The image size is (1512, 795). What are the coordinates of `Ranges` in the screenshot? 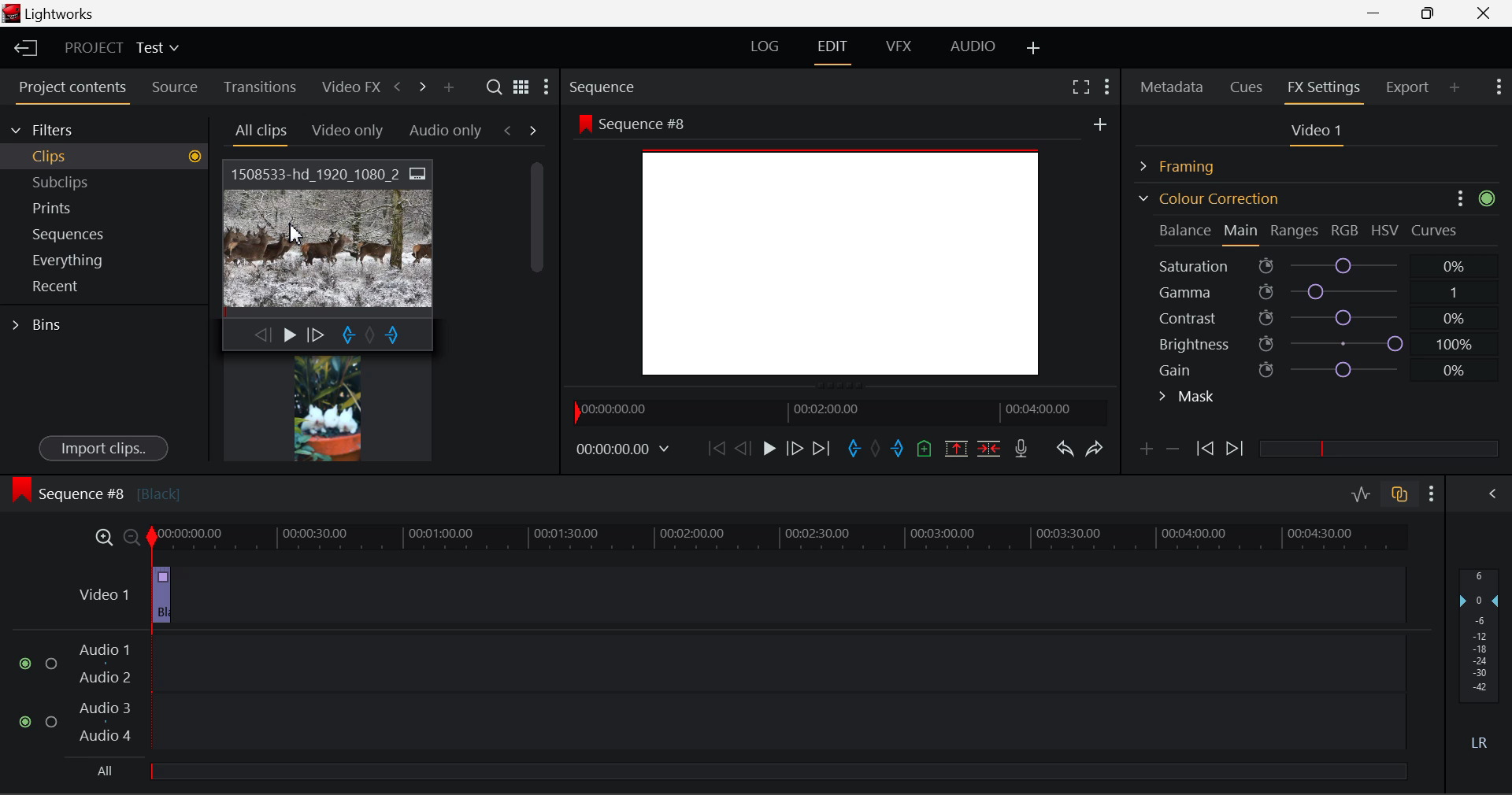 It's located at (1295, 232).